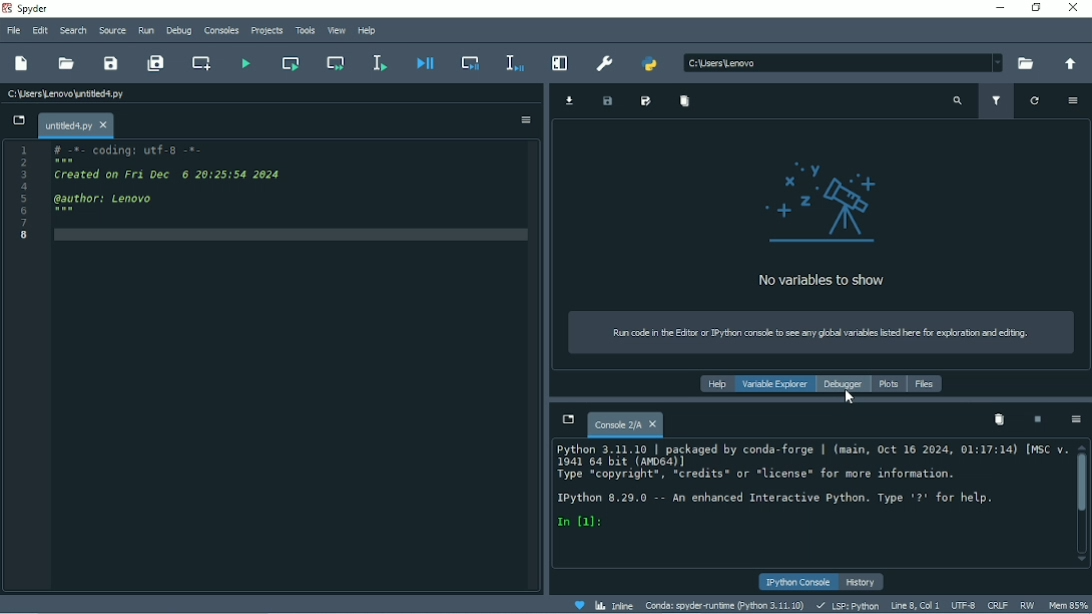 This screenshot has width=1092, height=614. Describe the element at coordinates (831, 201) in the screenshot. I see `logo` at that location.